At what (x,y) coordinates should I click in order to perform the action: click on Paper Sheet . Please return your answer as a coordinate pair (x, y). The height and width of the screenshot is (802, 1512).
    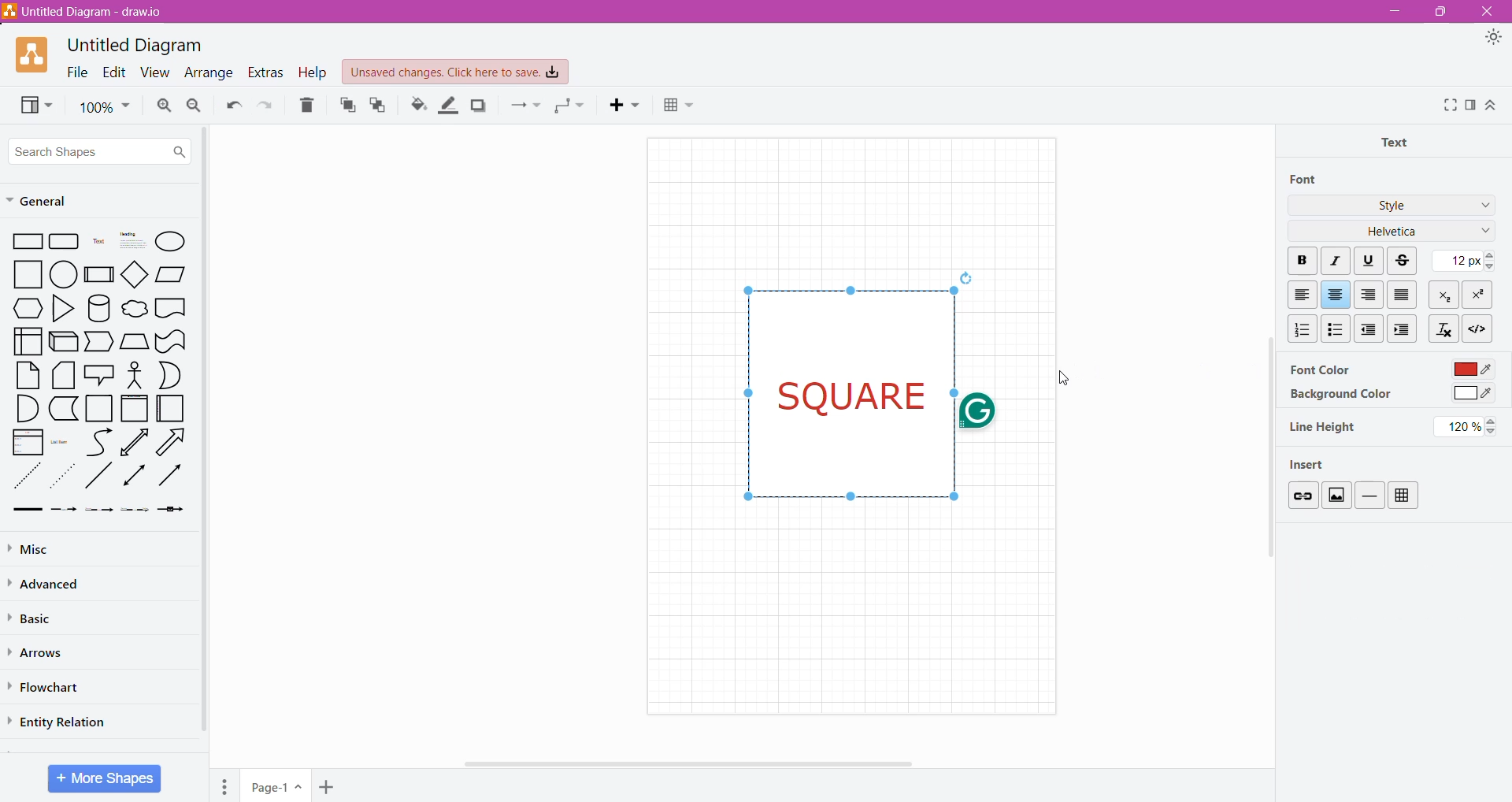
    Looking at the image, I should click on (28, 375).